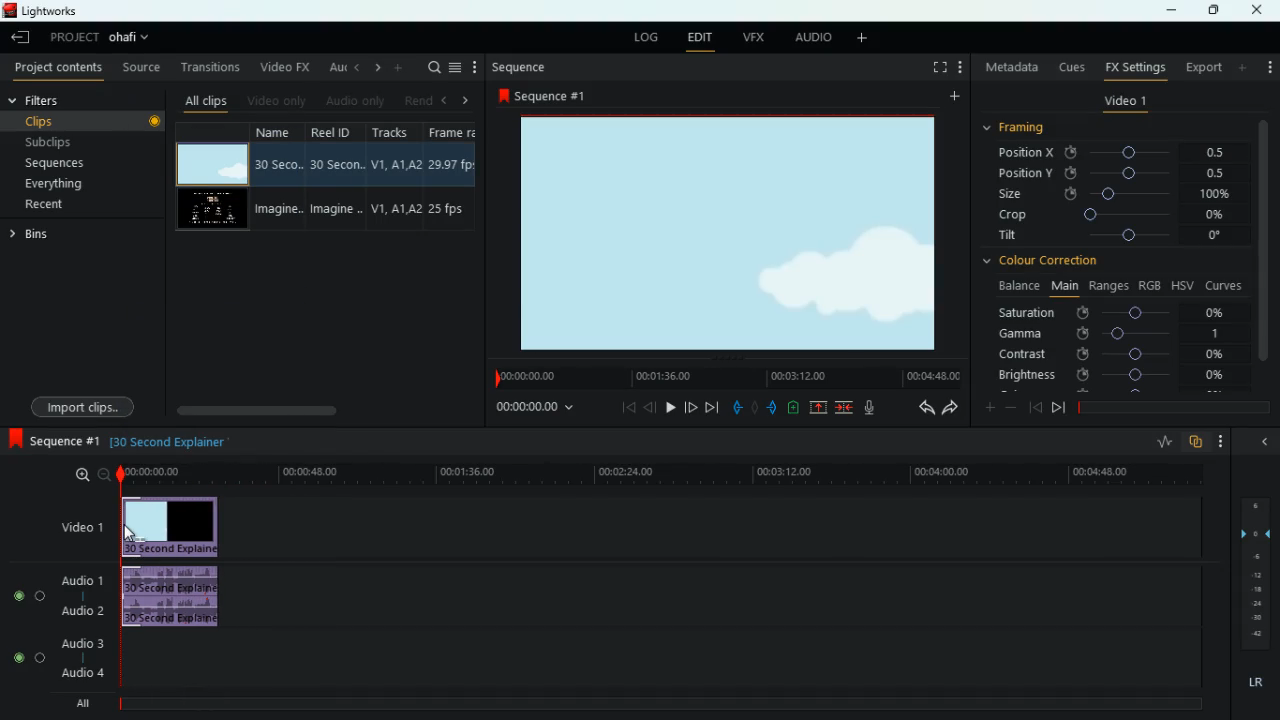 The image size is (1280, 720). Describe the element at coordinates (863, 39) in the screenshot. I see `add` at that location.